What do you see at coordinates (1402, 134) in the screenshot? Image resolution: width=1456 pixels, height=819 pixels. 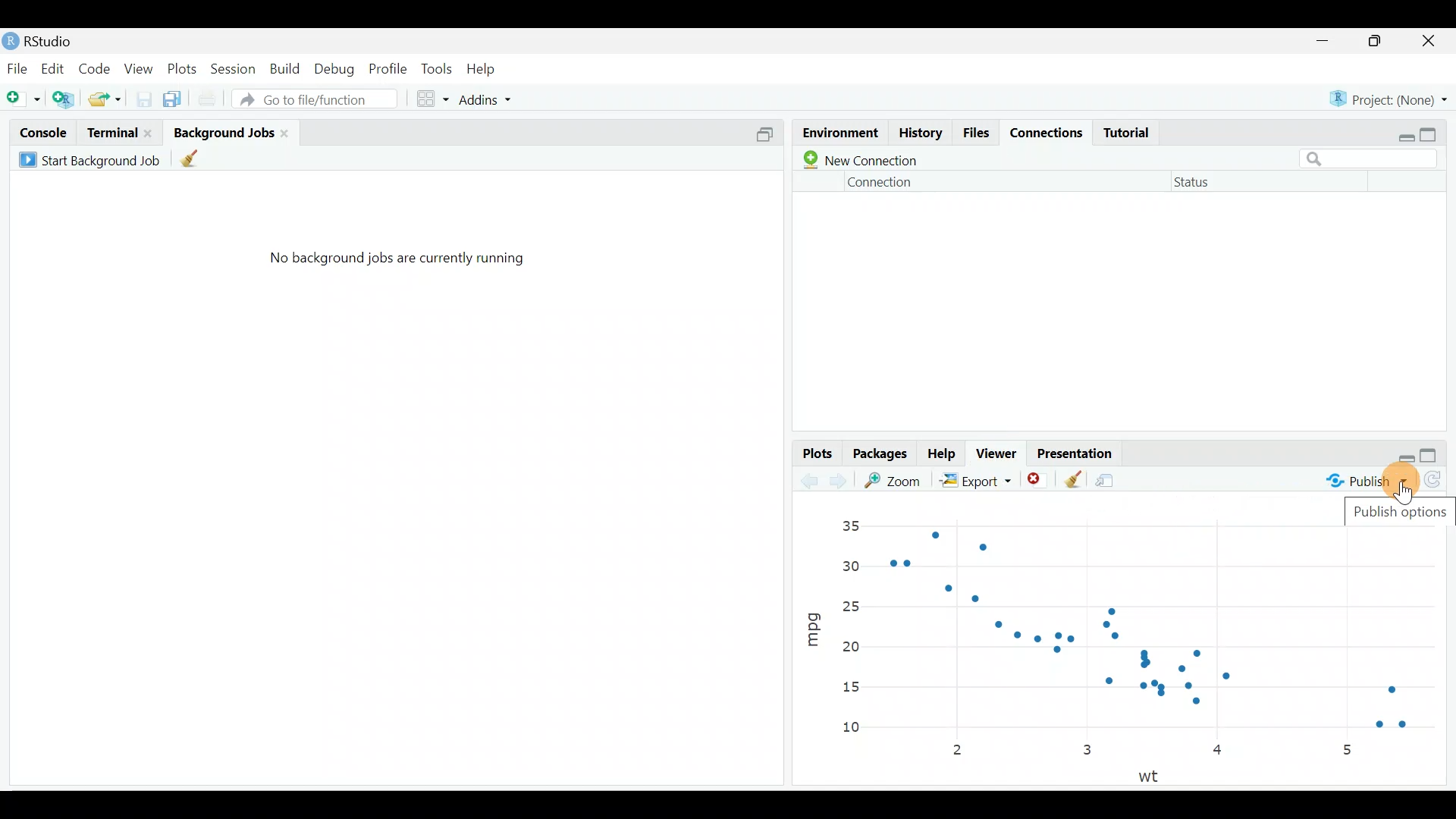 I see `Restore down` at bounding box center [1402, 134].